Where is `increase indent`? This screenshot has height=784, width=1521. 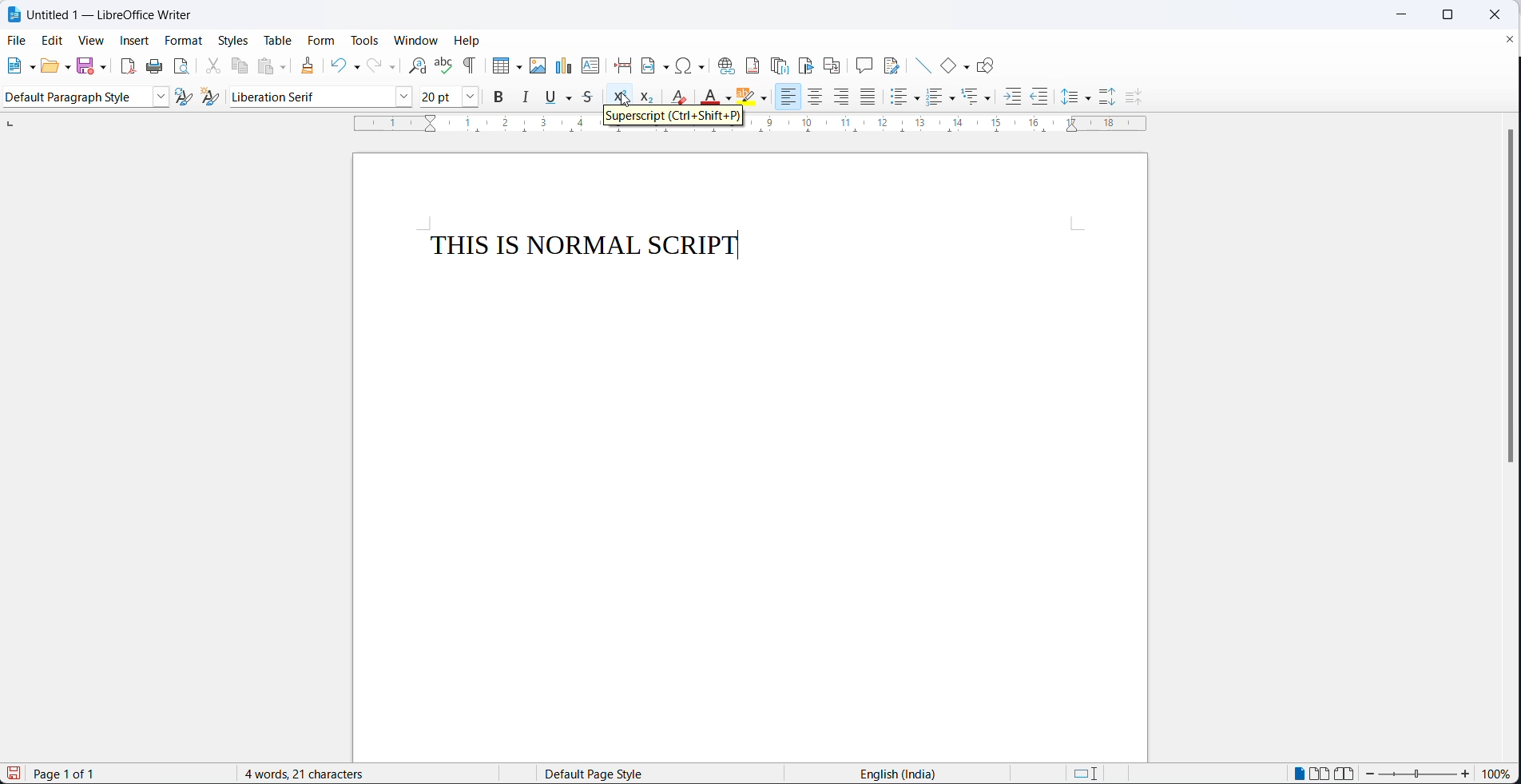 increase indent is located at coordinates (1011, 98).